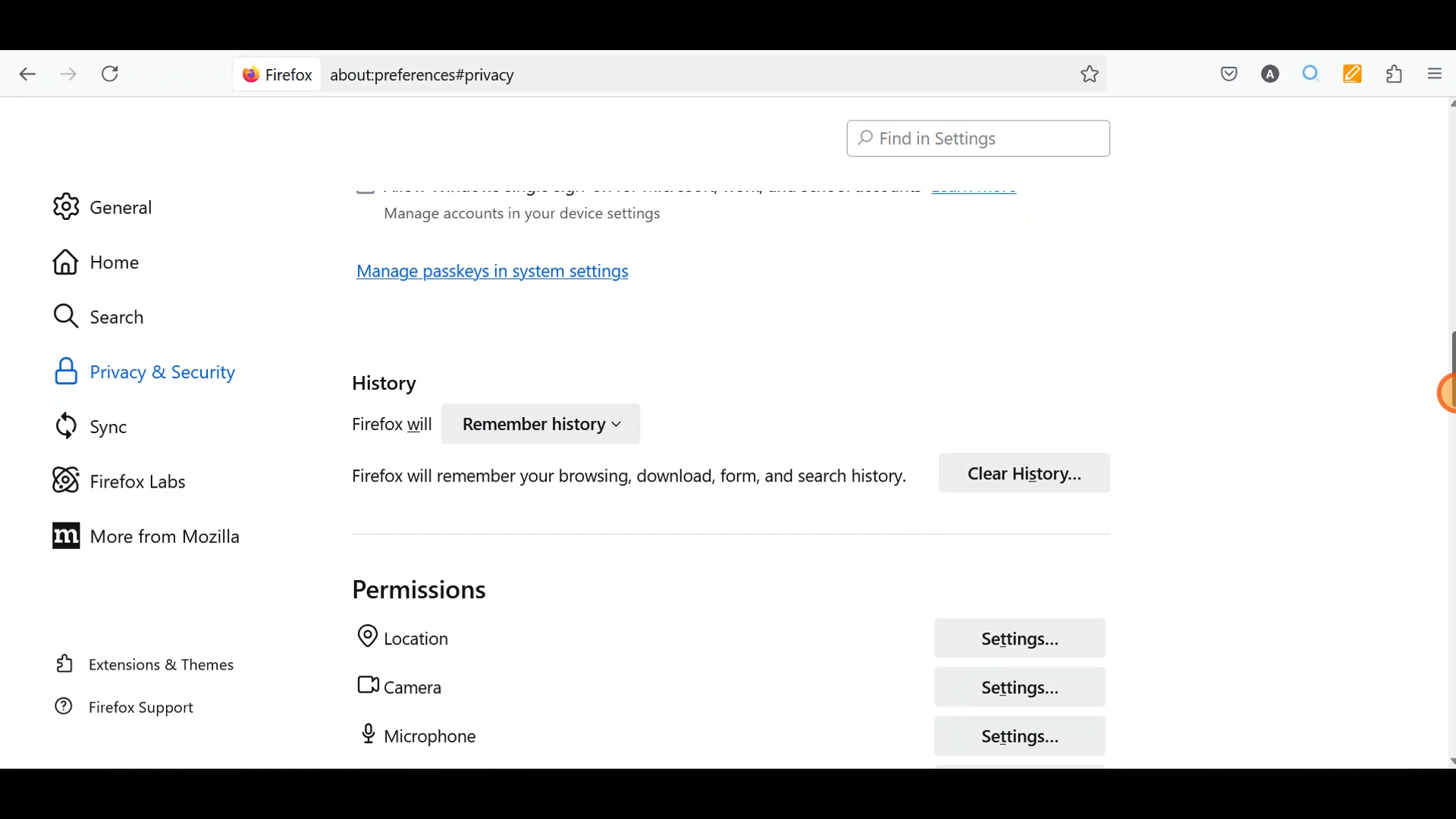  I want to click on Firefox will remember your browsing, download, form and search history, so click(607, 475).